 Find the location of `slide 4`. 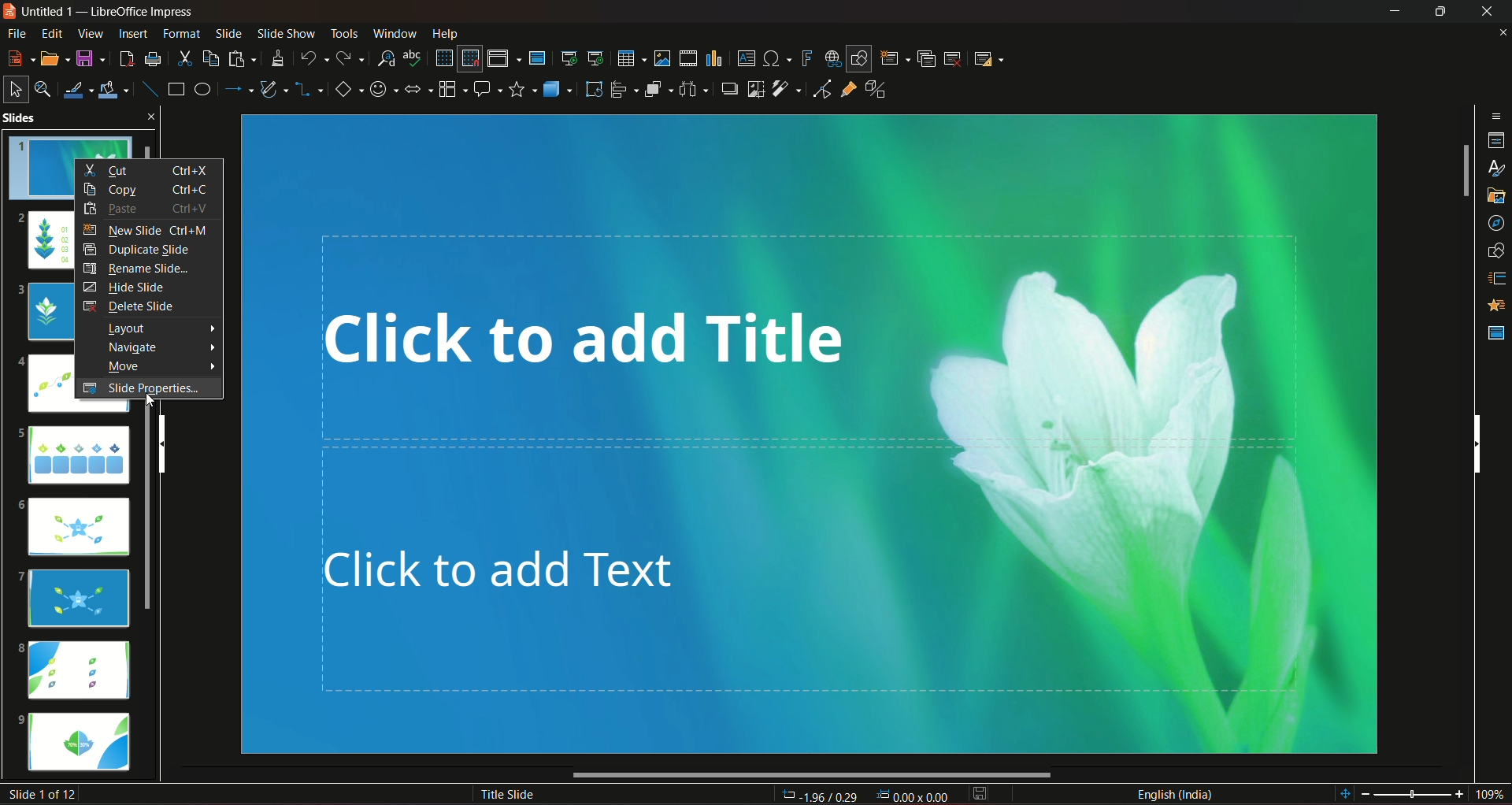

slide 4 is located at coordinates (40, 387).